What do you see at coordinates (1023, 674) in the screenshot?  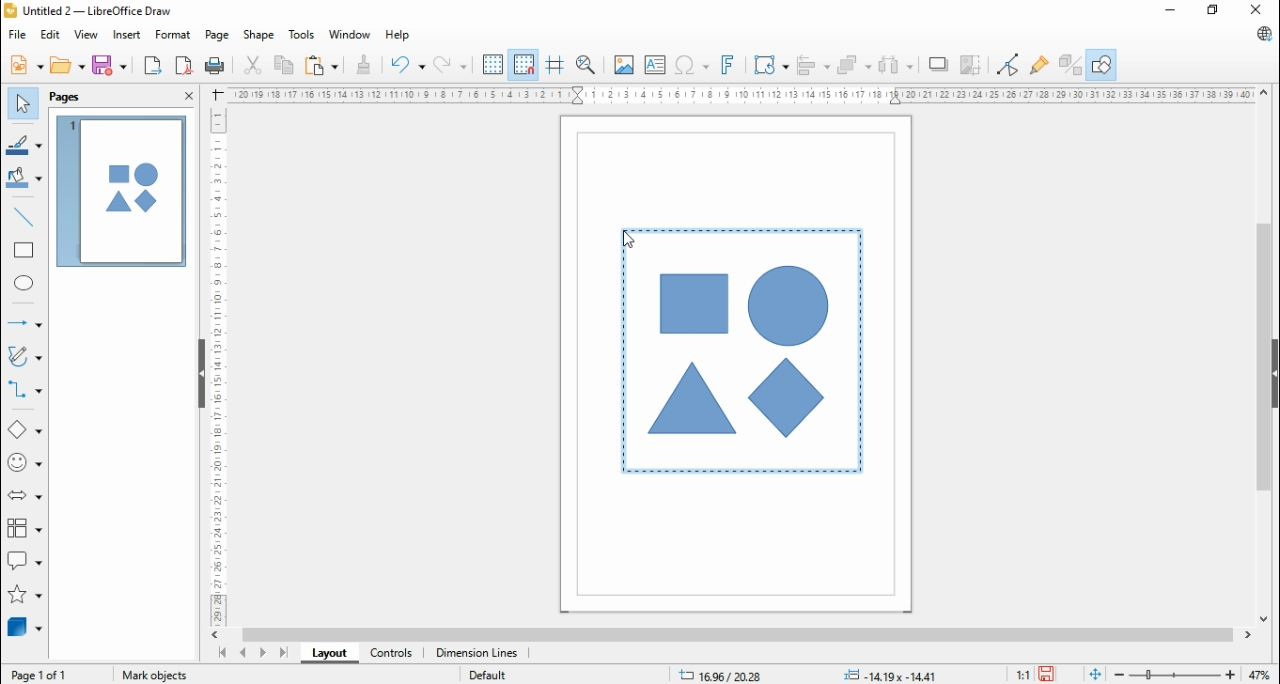 I see `1:1` at bounding box center [1023, 674].